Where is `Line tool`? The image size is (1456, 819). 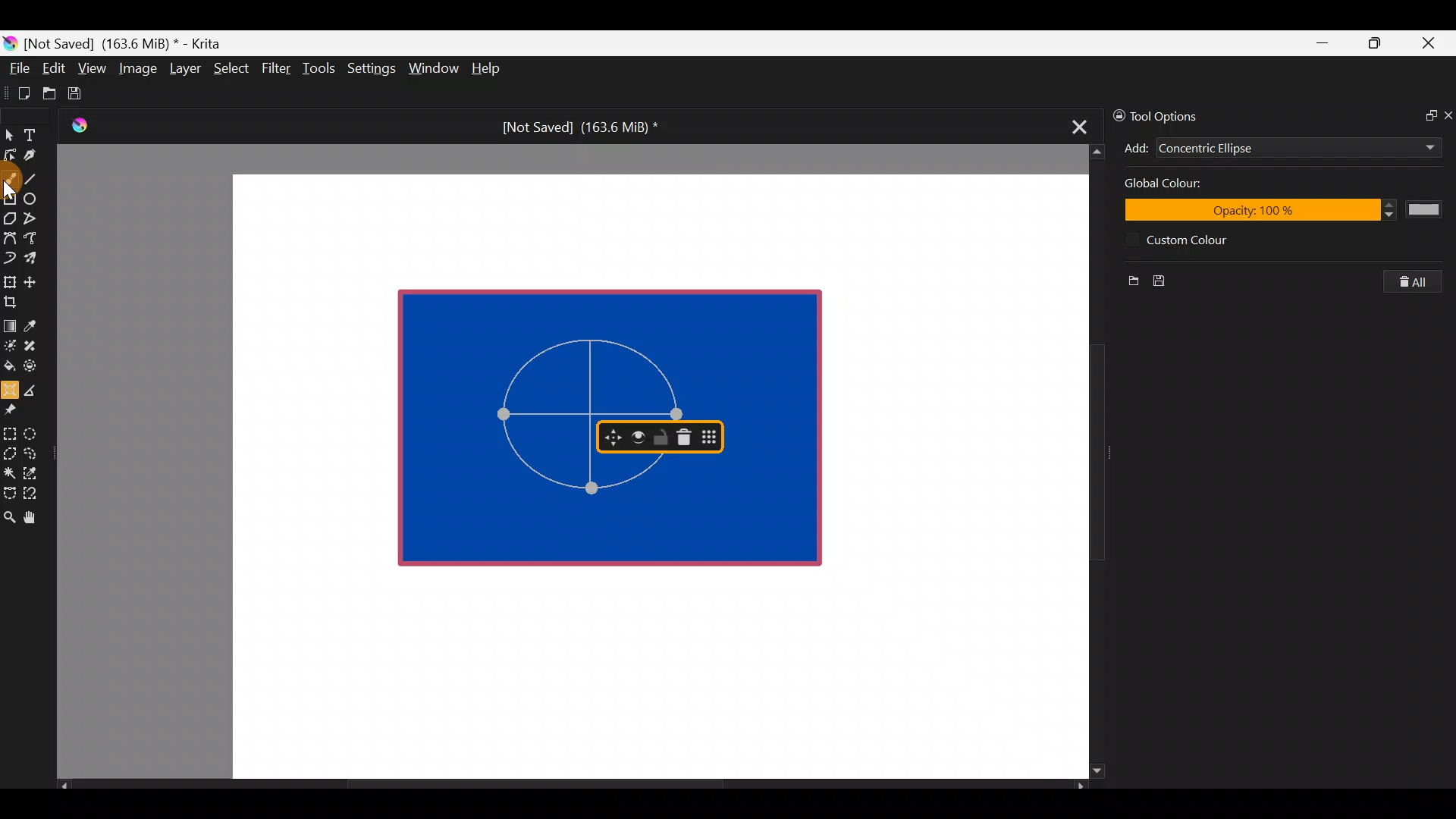 Line tool is located at coordinates (40, 177).